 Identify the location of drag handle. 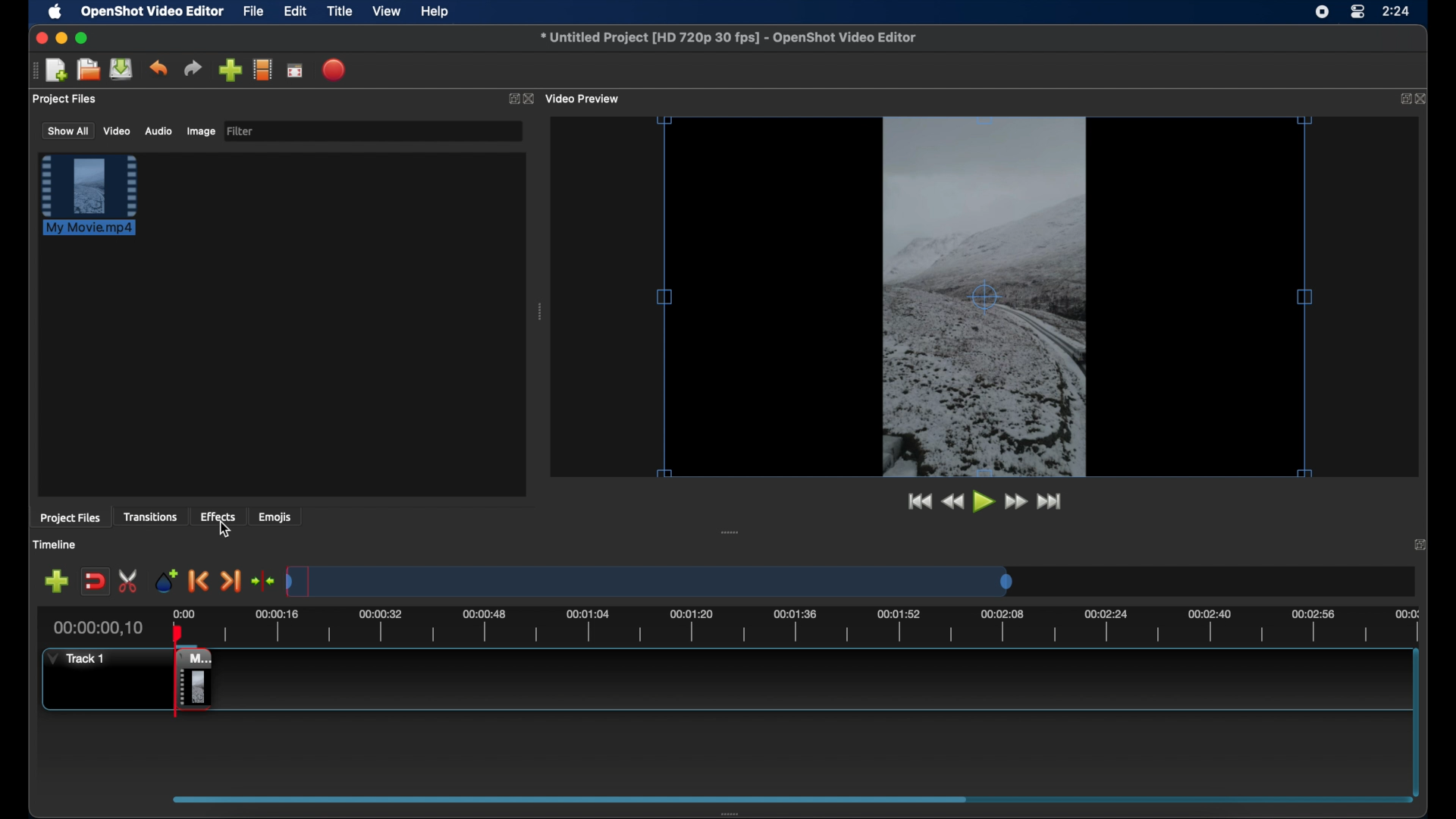
(731, 811).